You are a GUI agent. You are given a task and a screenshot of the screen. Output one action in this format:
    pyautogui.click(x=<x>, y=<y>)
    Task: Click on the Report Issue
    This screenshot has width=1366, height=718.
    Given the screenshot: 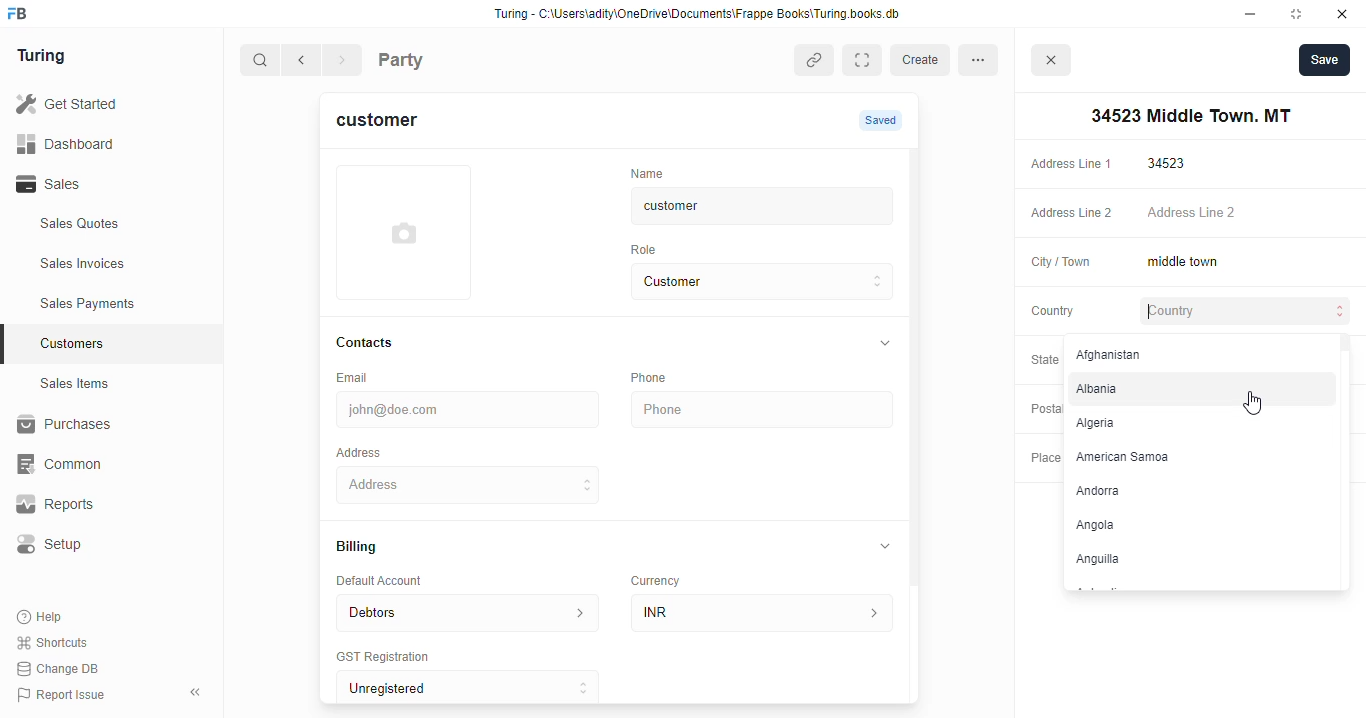 What is the action you would take?
    pyautogui.click(x=65, y=693)
    